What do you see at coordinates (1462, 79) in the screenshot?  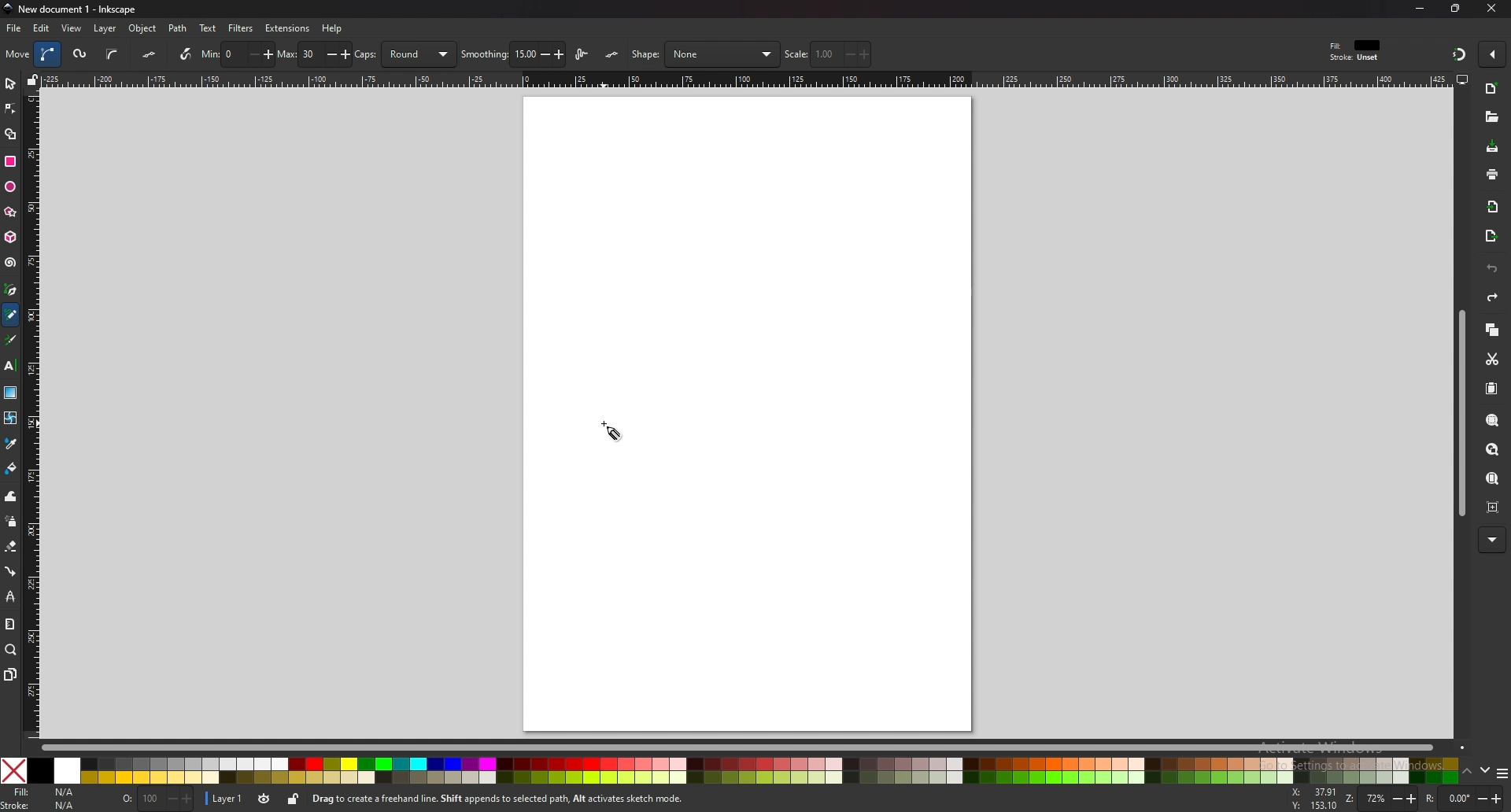 I see `display view` at bounding box center [1462, 79].